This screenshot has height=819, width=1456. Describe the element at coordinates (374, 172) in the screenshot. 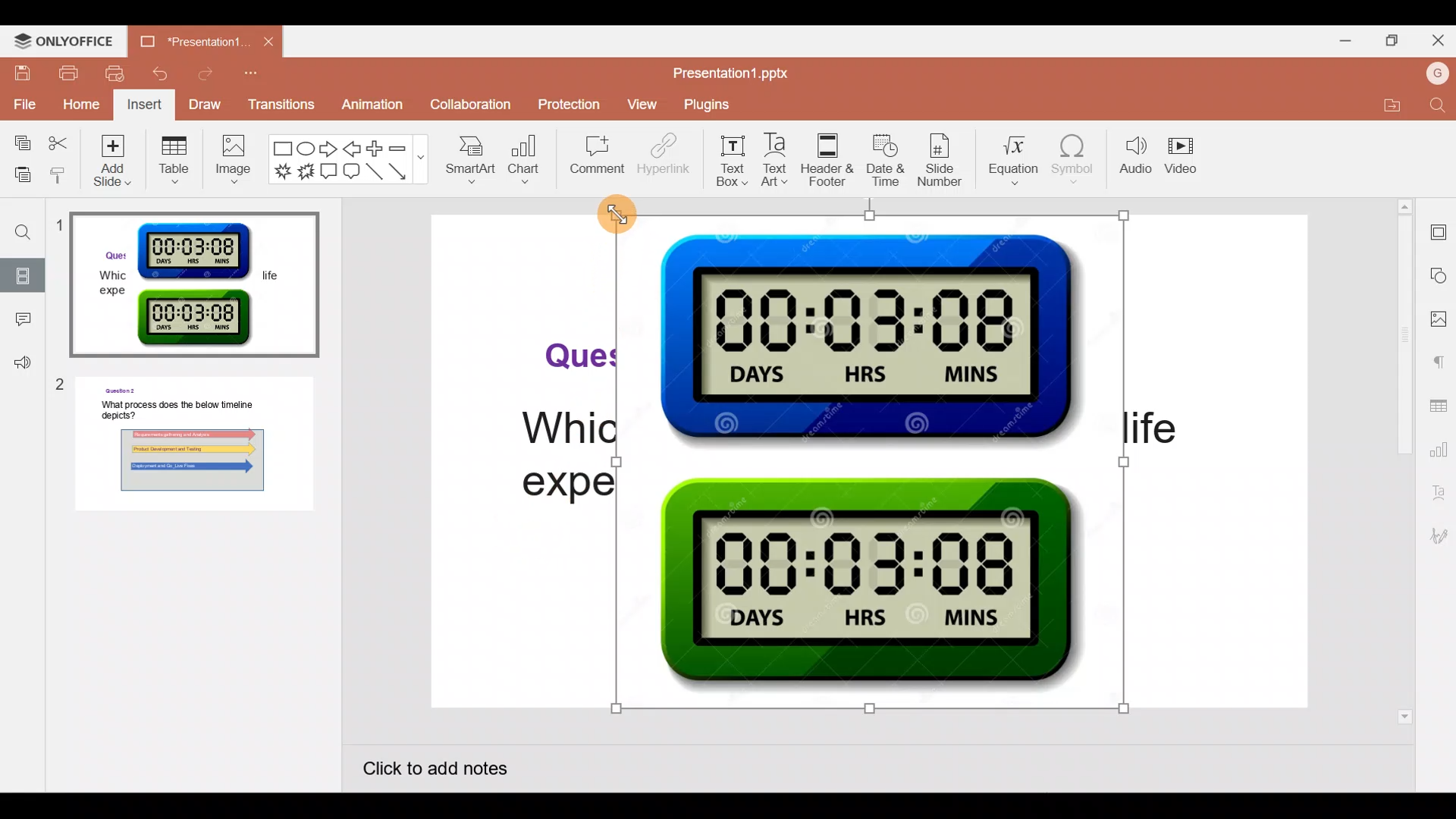

I see `Line` at that location.